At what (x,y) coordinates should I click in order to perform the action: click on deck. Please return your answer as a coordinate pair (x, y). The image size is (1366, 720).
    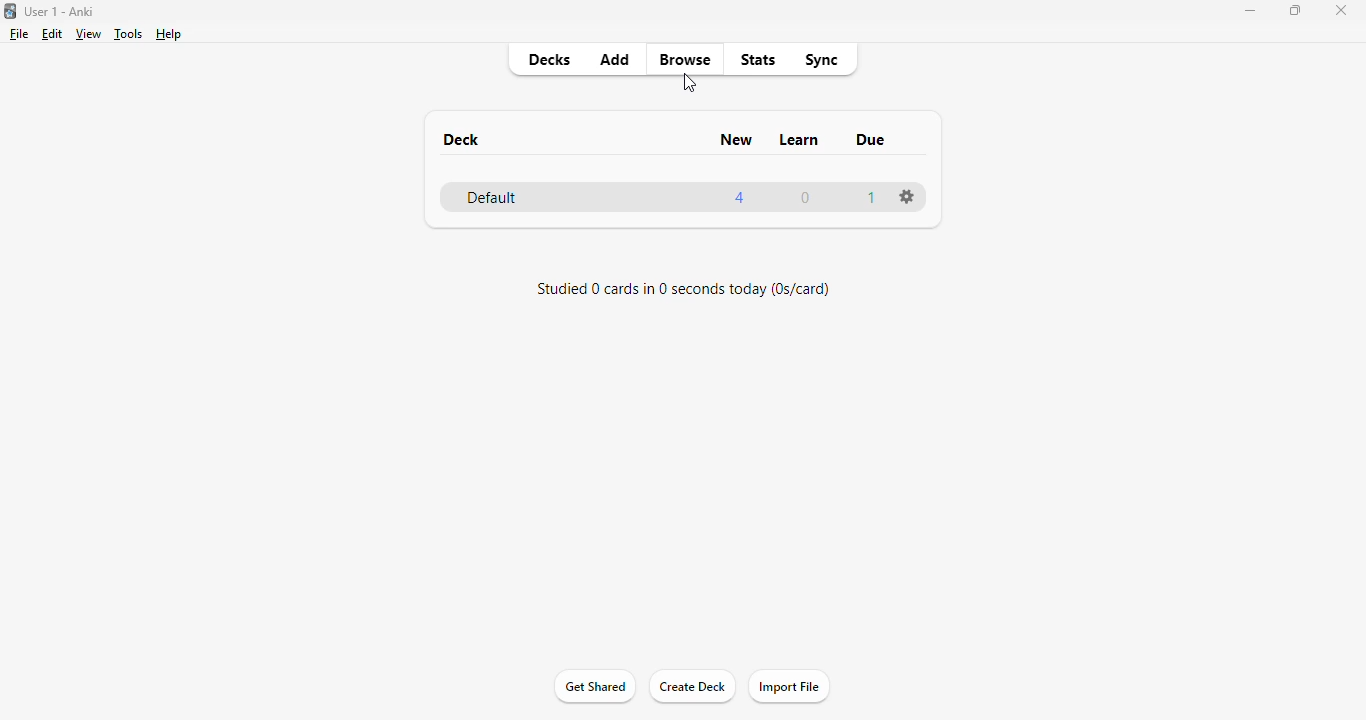
    Looking at the image, I should click on (460, 139).